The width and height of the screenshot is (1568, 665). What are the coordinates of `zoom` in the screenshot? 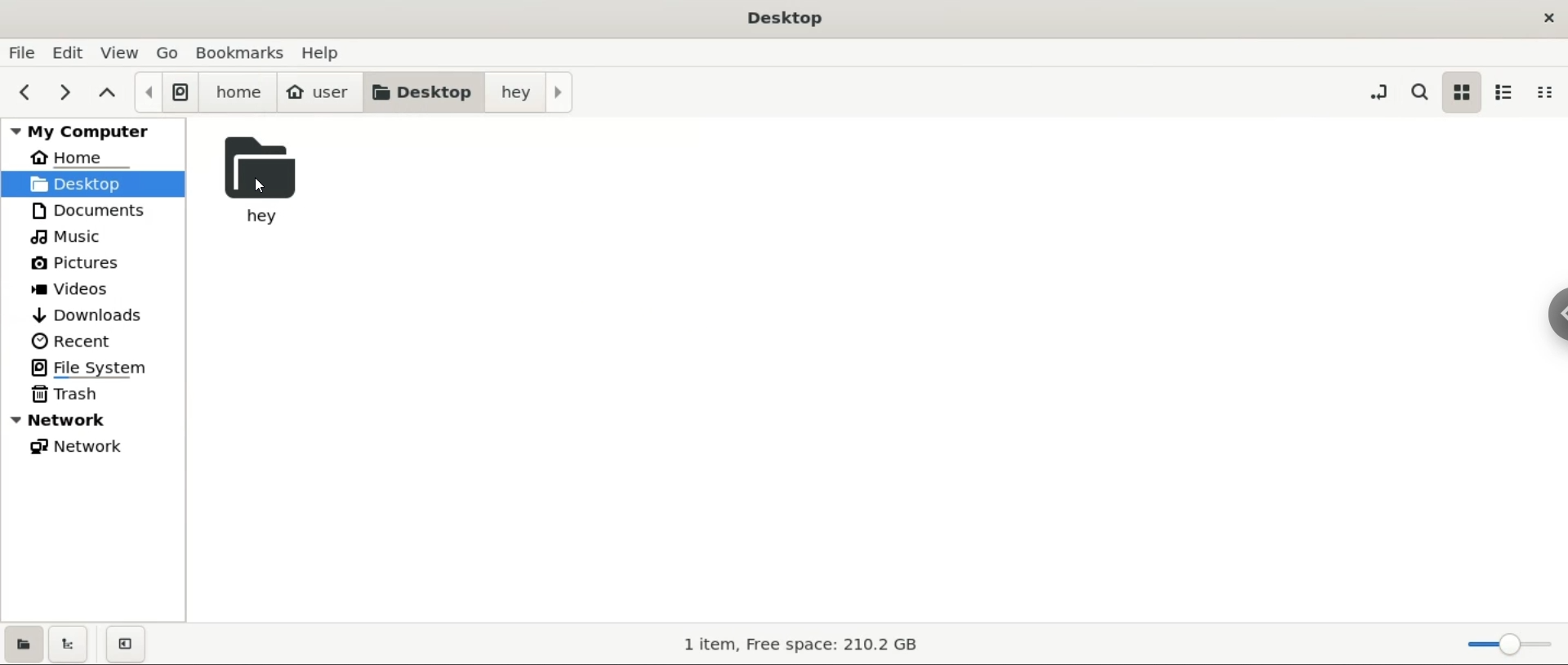 It's located at (1508, 645).